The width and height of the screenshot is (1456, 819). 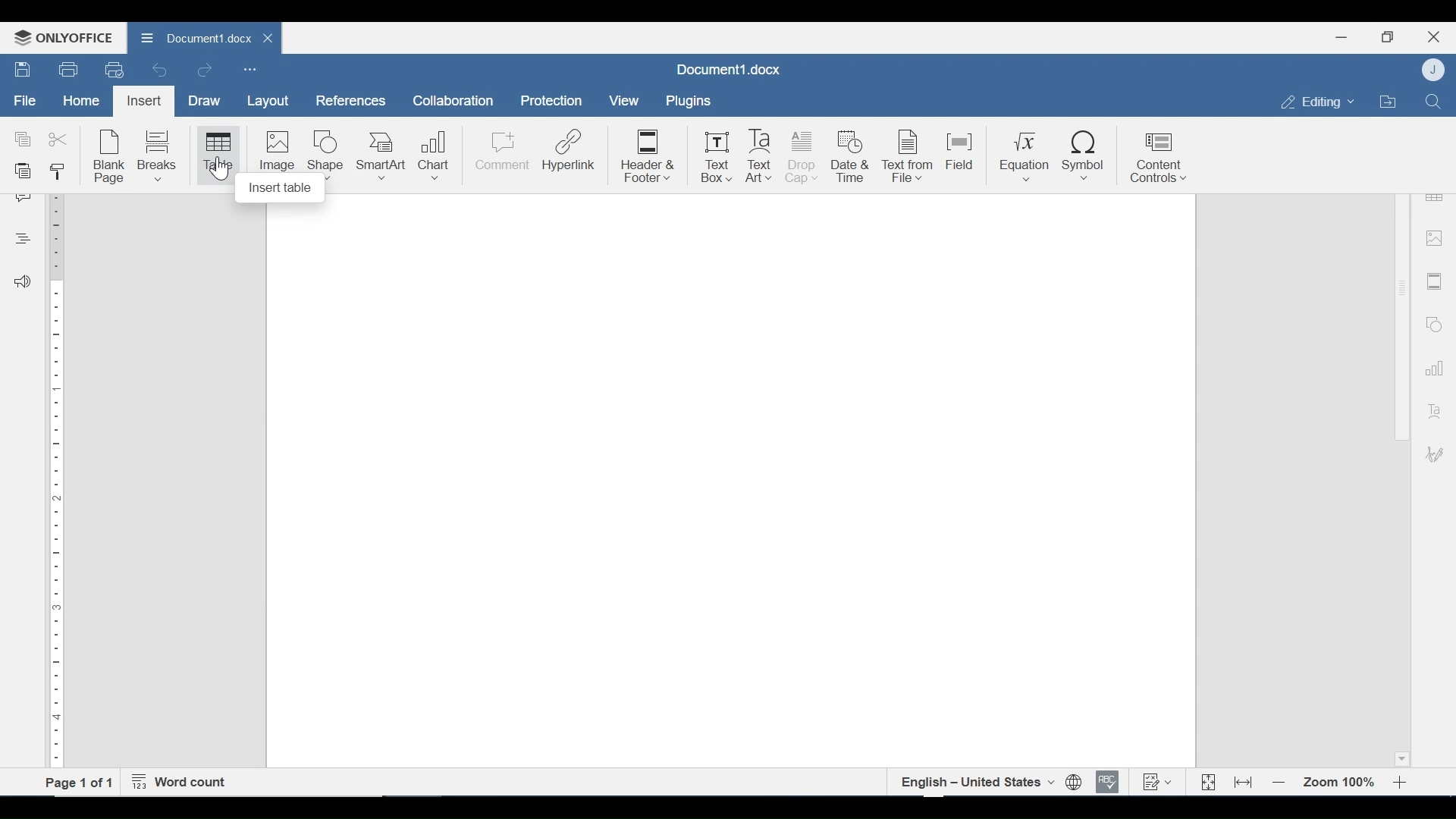 I want to click on Plugins, so click(x=686, y=102).